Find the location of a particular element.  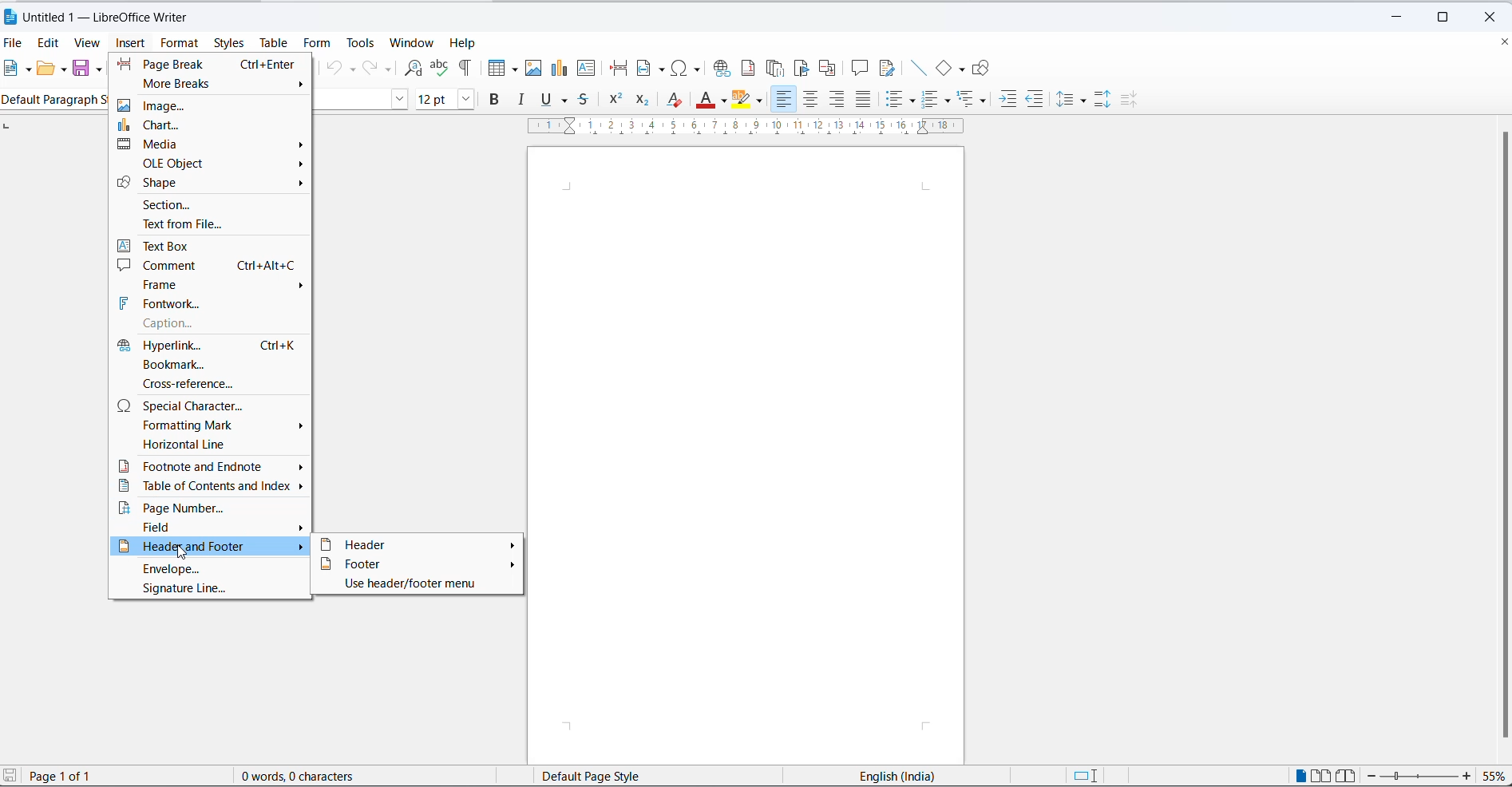

image is located at coordinates (213, 104).